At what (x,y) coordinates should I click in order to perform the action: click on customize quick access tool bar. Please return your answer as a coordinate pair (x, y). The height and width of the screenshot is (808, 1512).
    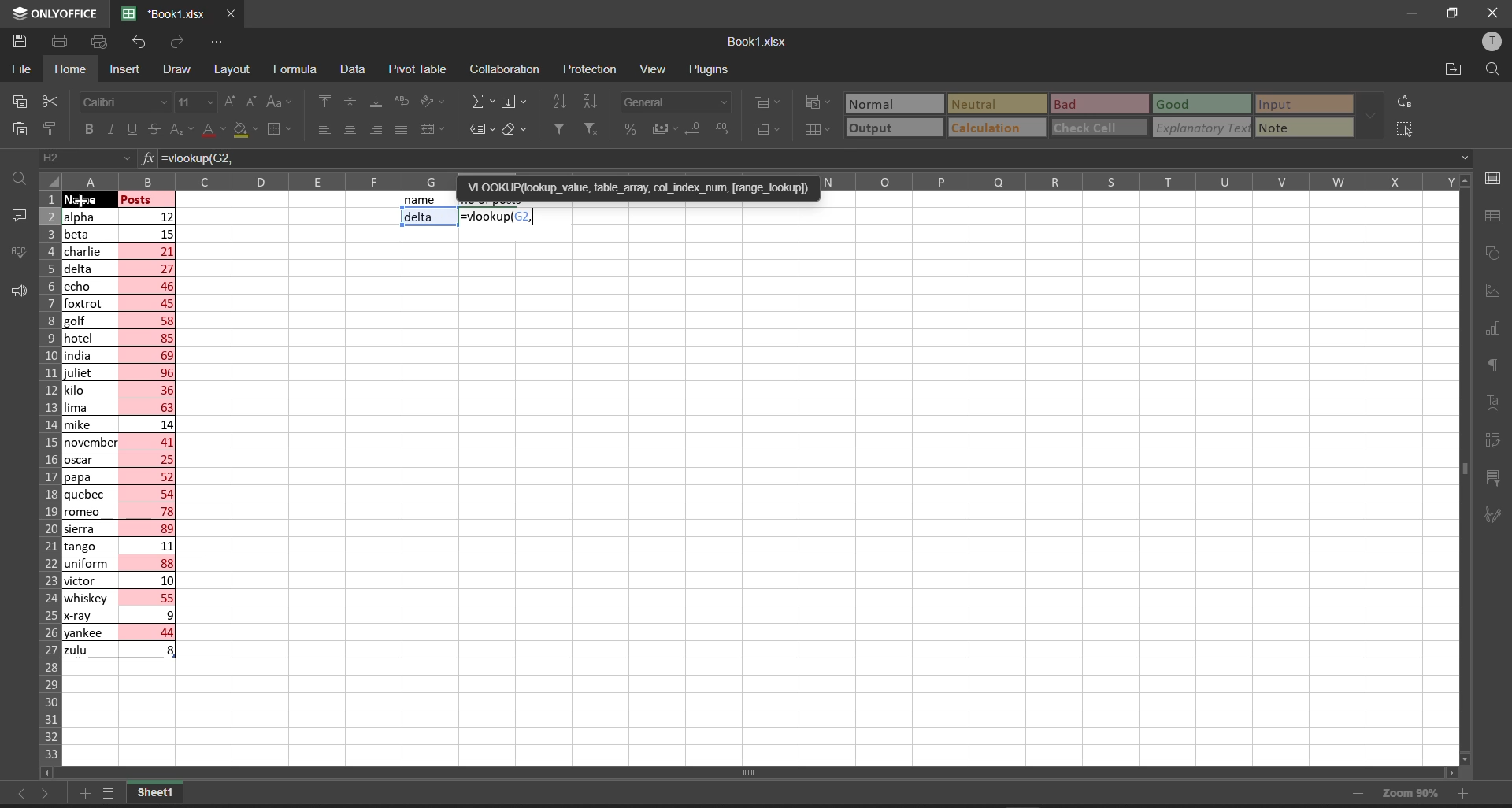
    Looking at the image, I should click on (217, 40).